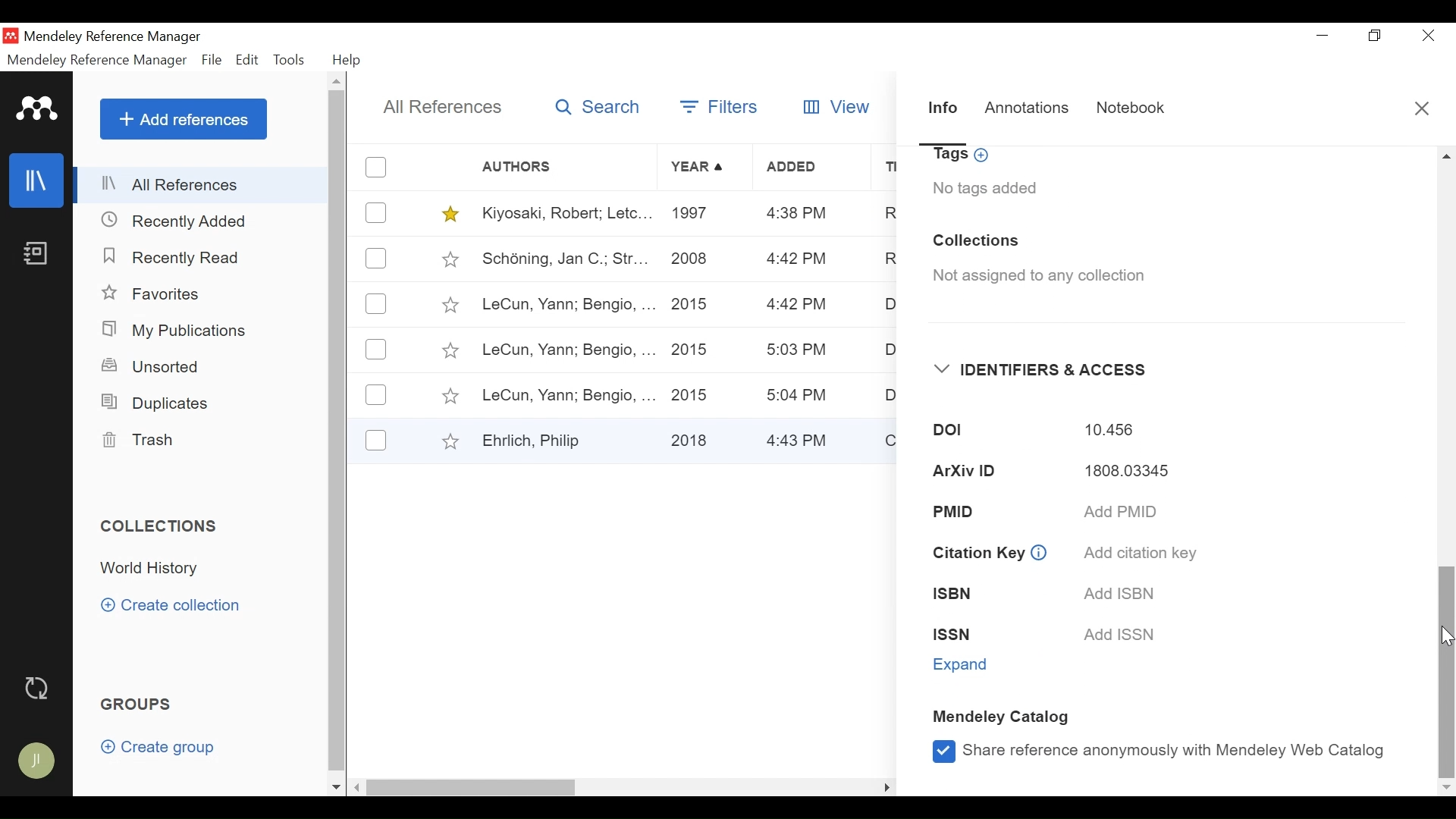  Describe the element at coordinates (1123, 635) in the screenshot. I see `Add ISSN` at that location.